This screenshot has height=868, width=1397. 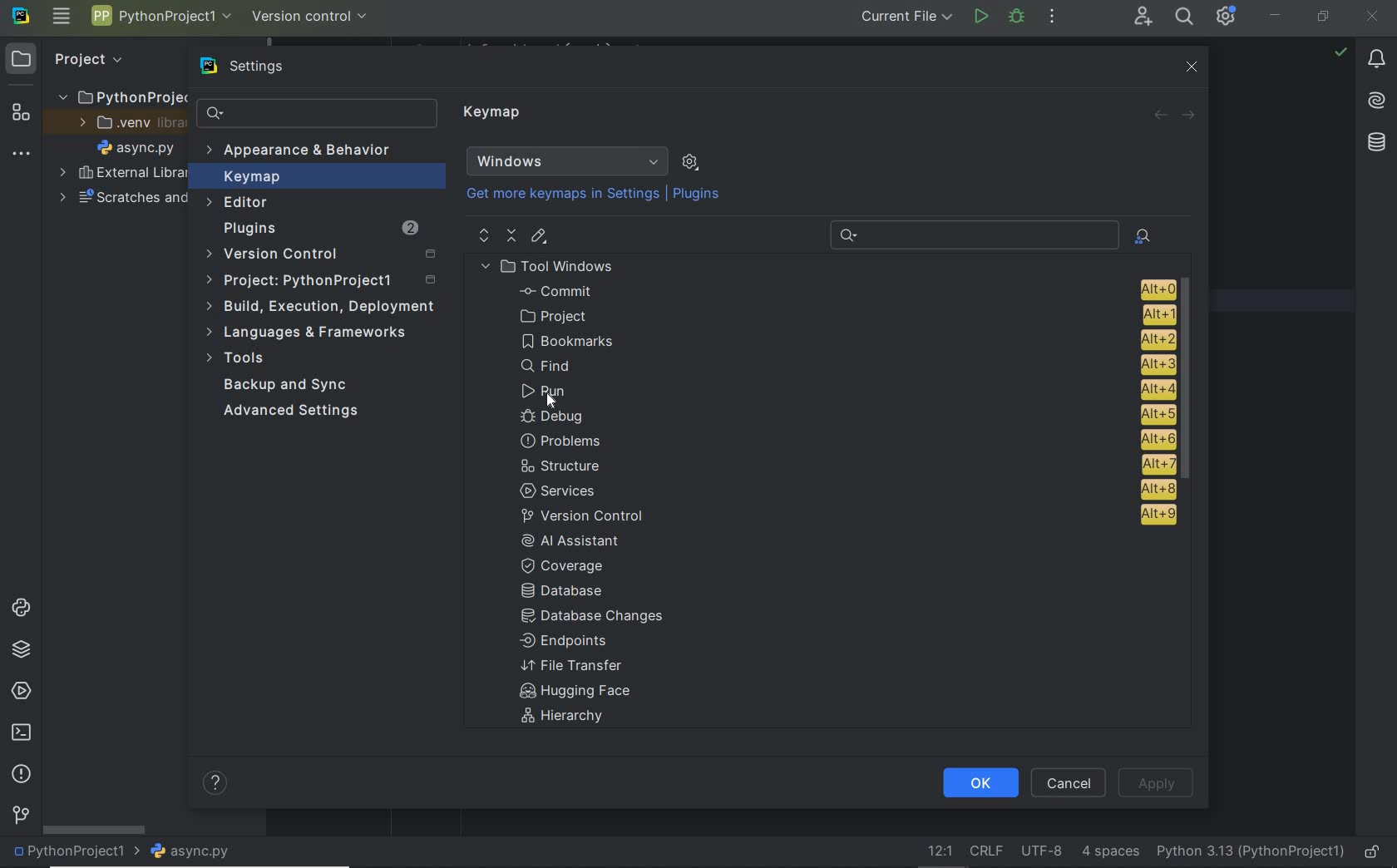 I want to click on AI Assistant, so click(x=582, y=540).